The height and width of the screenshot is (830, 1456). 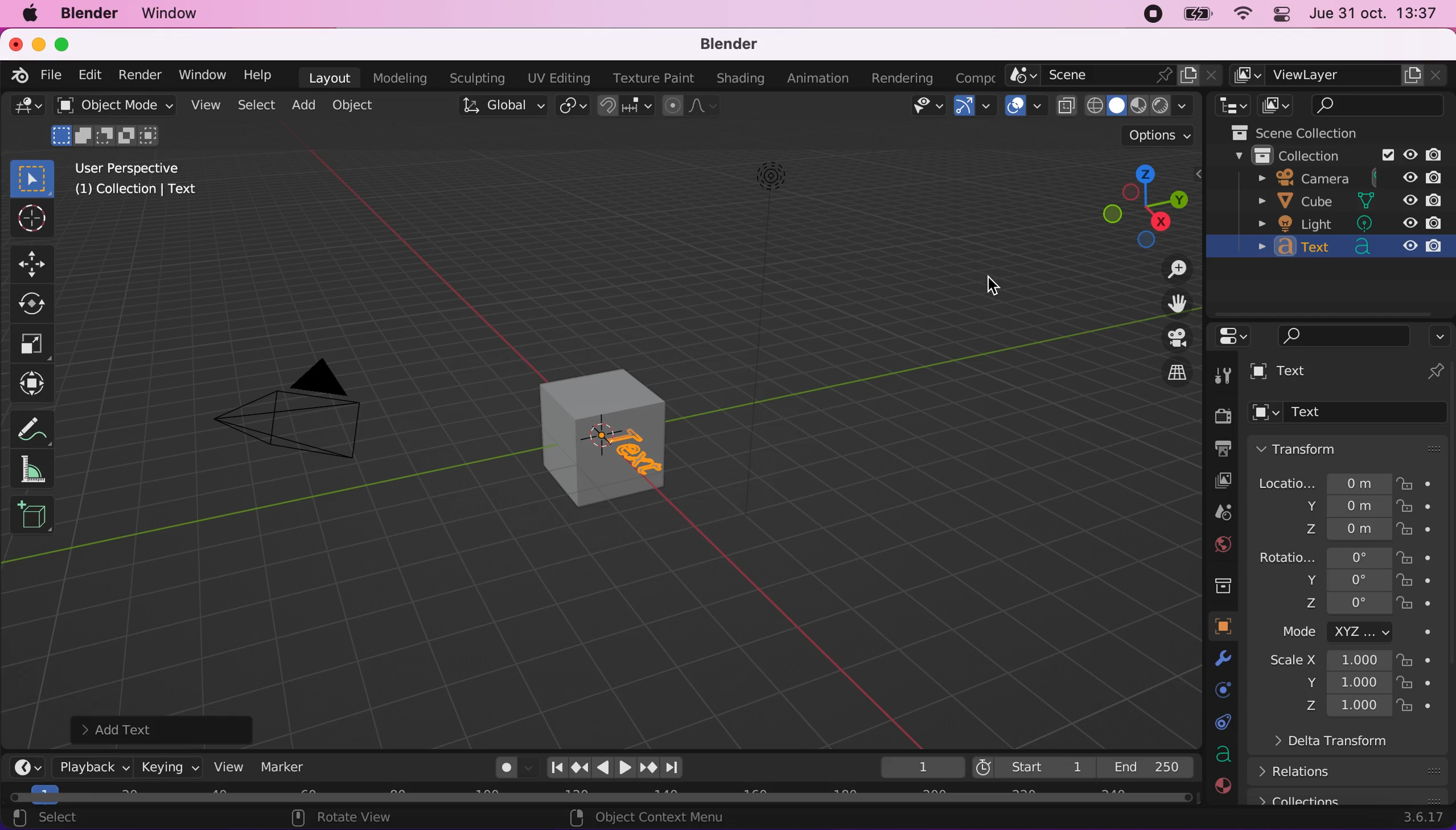 I want to click on material, so click(x=1223, y=787).